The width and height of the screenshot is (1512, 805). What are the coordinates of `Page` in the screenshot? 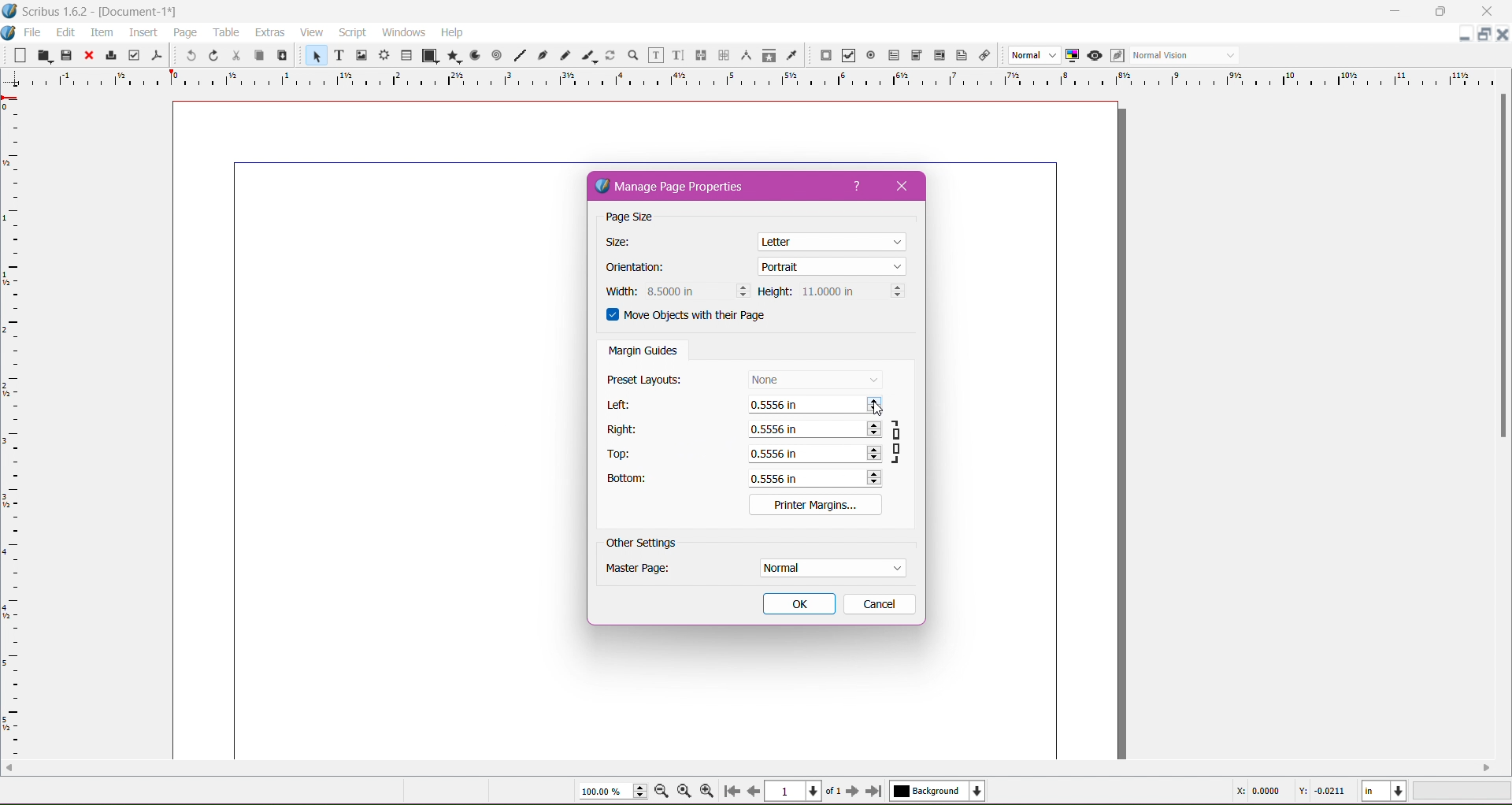 It's located at (183, 32).